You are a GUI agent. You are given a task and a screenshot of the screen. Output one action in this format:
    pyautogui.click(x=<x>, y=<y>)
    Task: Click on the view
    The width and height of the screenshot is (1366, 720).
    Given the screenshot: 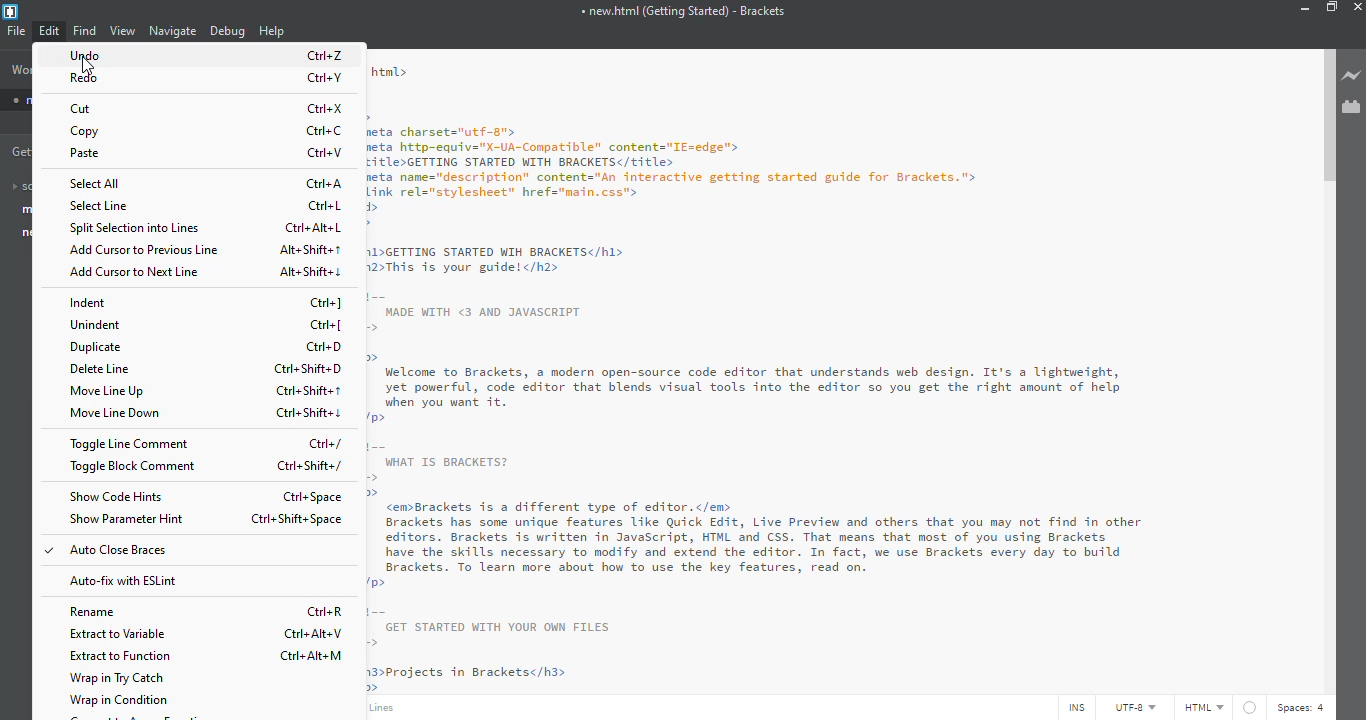 What is the action you would take?
    pyautogui.click(x=123, y=30)
    